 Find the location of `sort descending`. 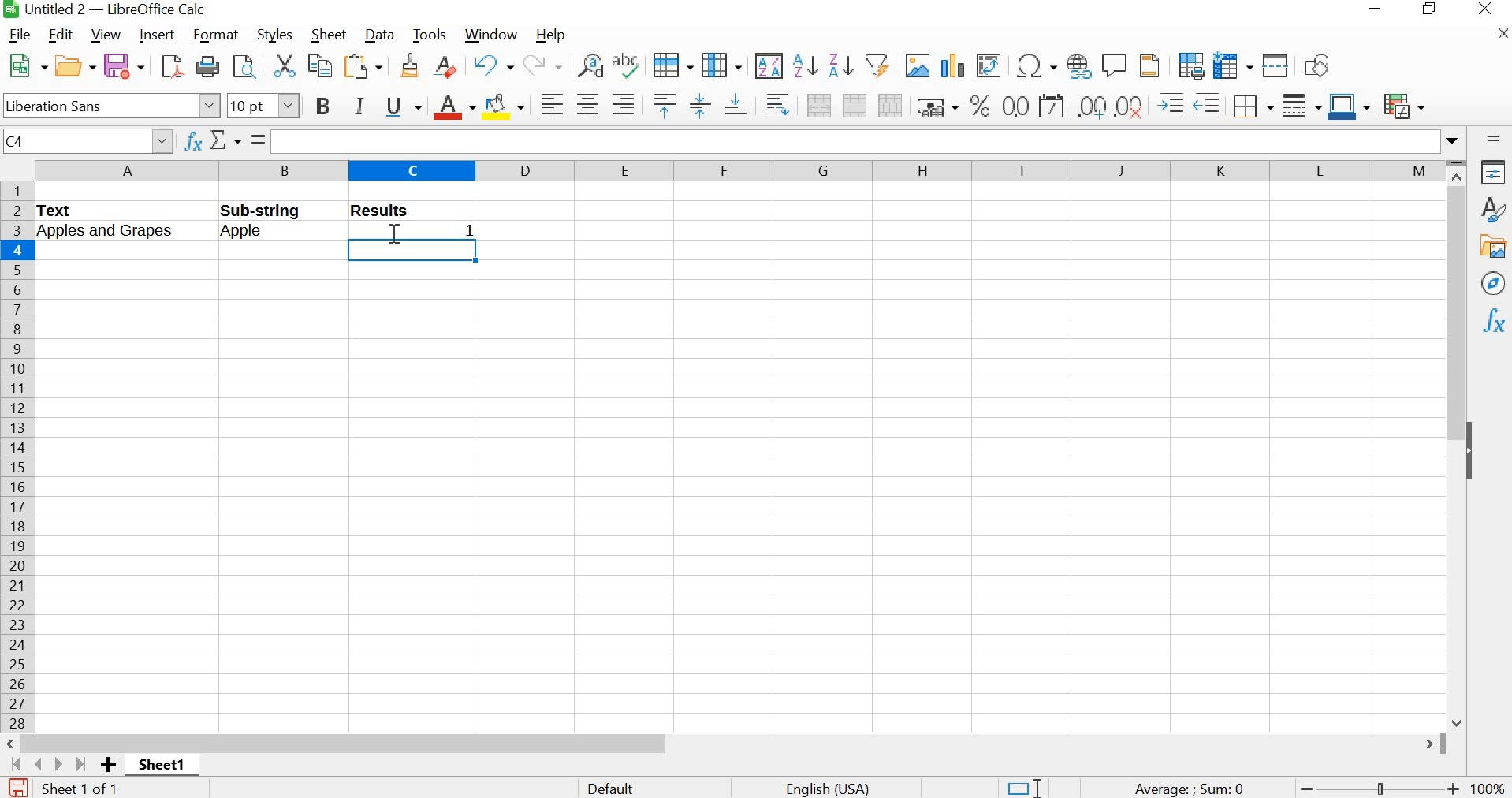

sort descending is located at coordinates (840, 65).